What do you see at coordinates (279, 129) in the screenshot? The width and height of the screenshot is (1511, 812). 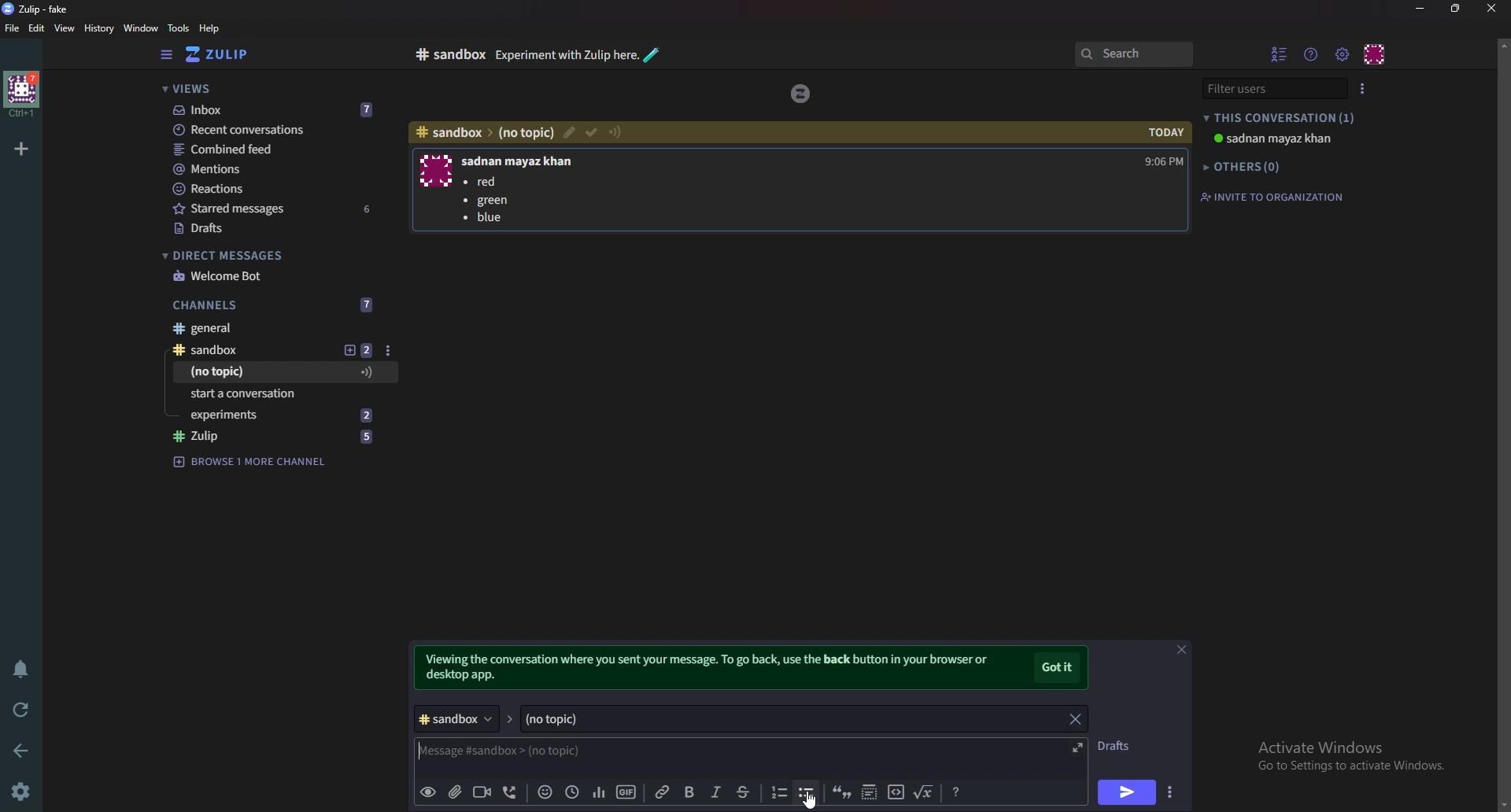 I see `Recent conversations` at bounding box center [279, 129].